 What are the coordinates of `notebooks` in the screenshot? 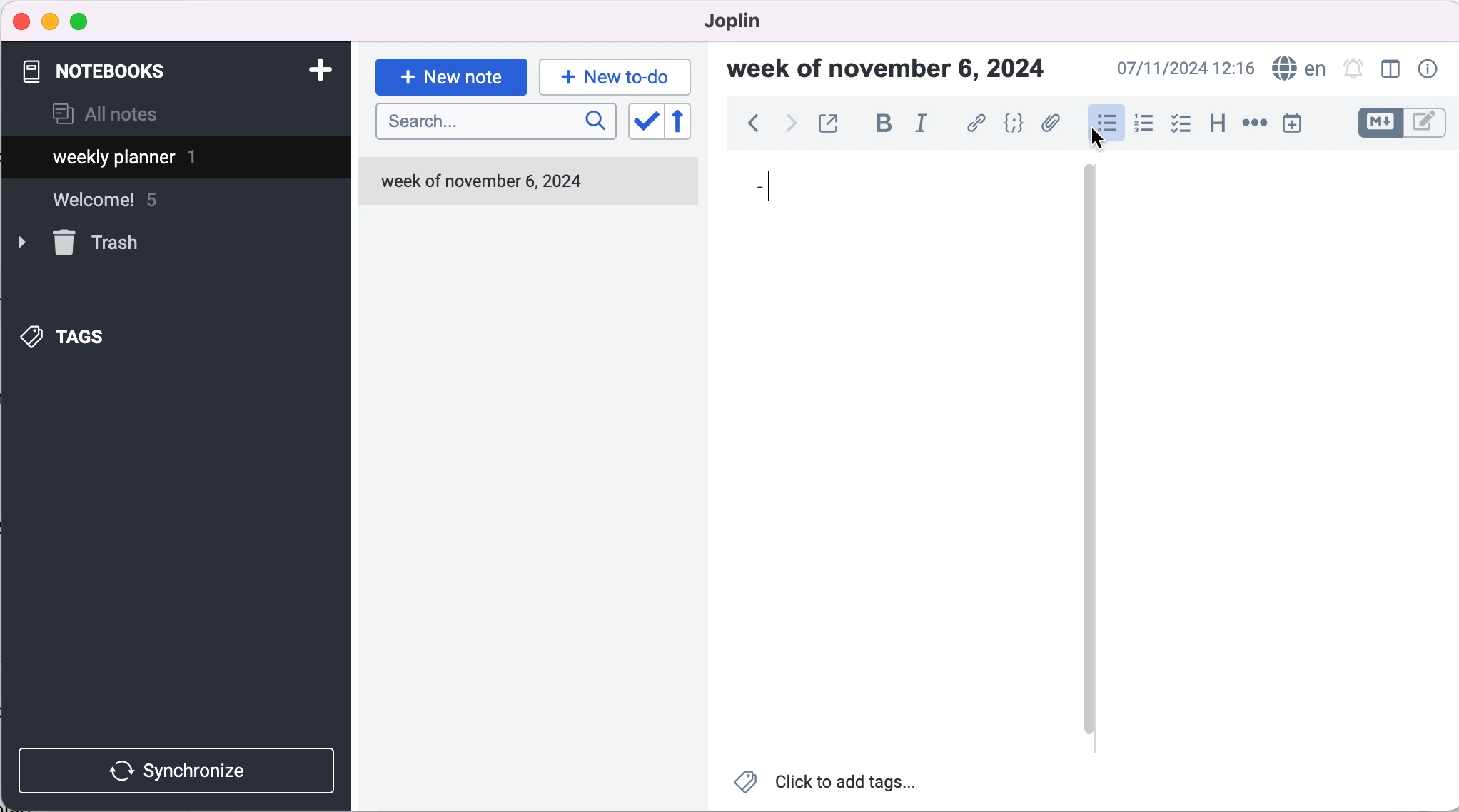 It's located at (106, 71).